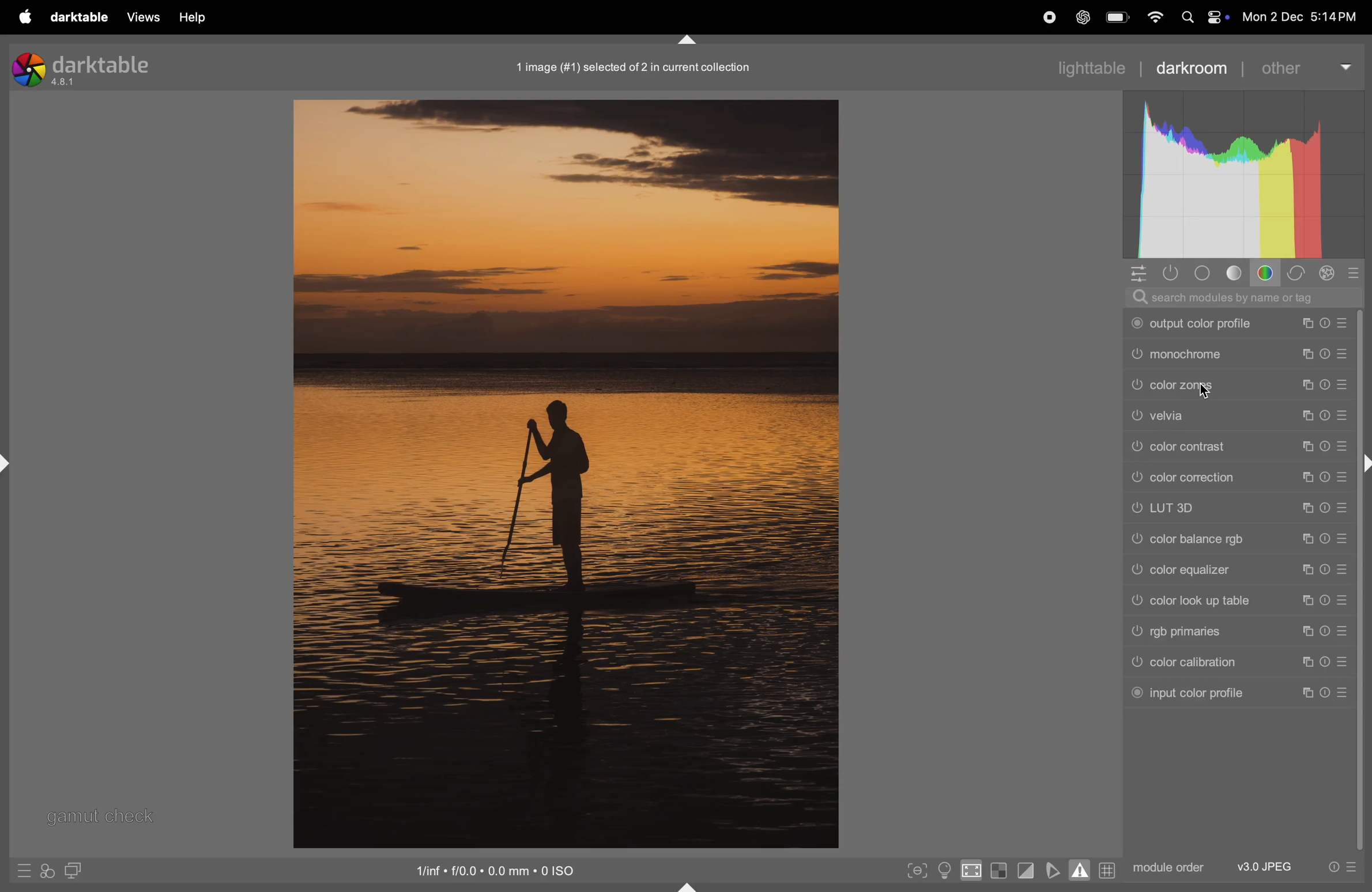  Describe the element at coordinates (1203, 510) in the screenshot. I see `LUT 3d` at that location.